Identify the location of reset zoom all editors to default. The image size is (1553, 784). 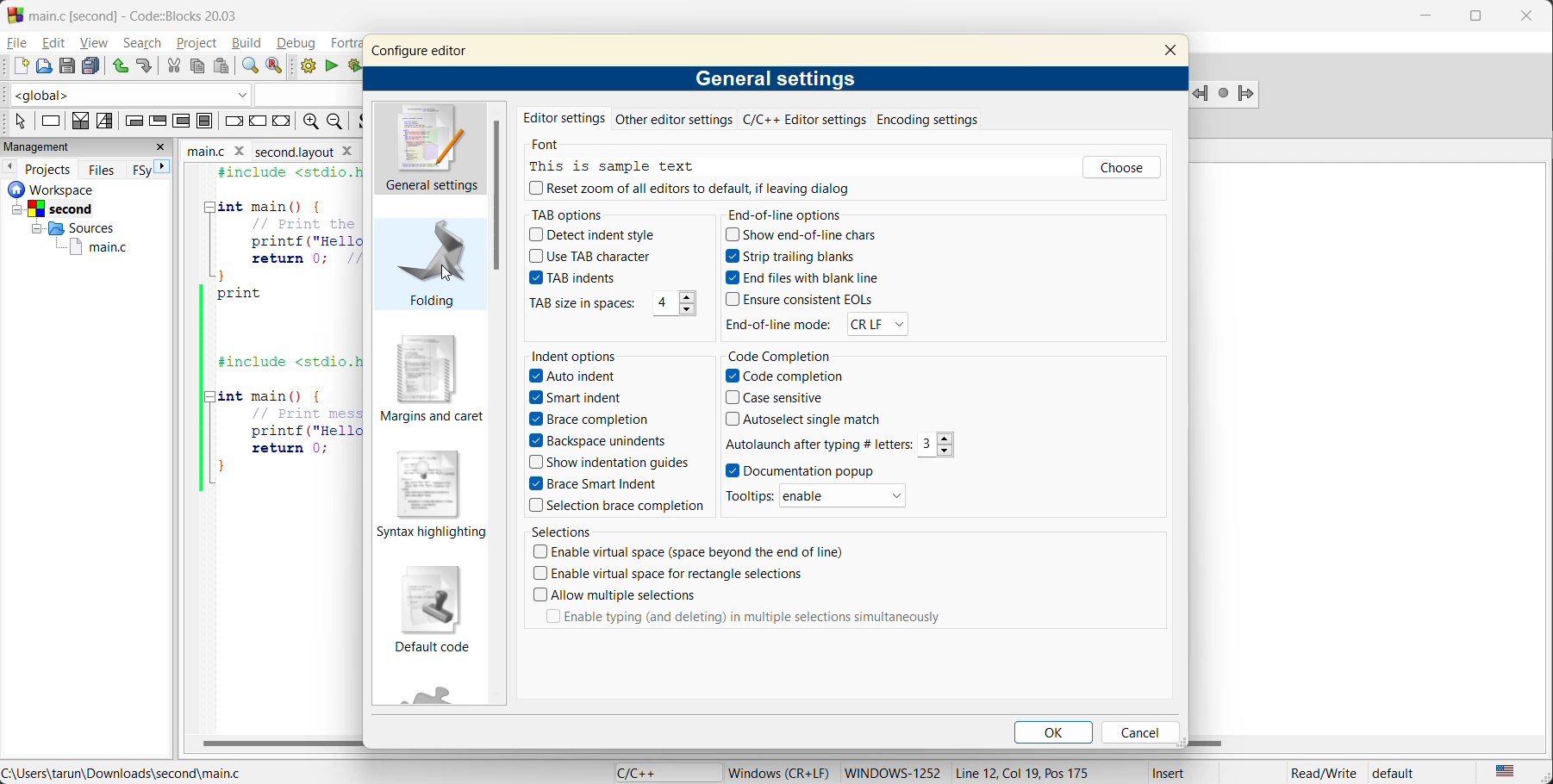
(684, 191).